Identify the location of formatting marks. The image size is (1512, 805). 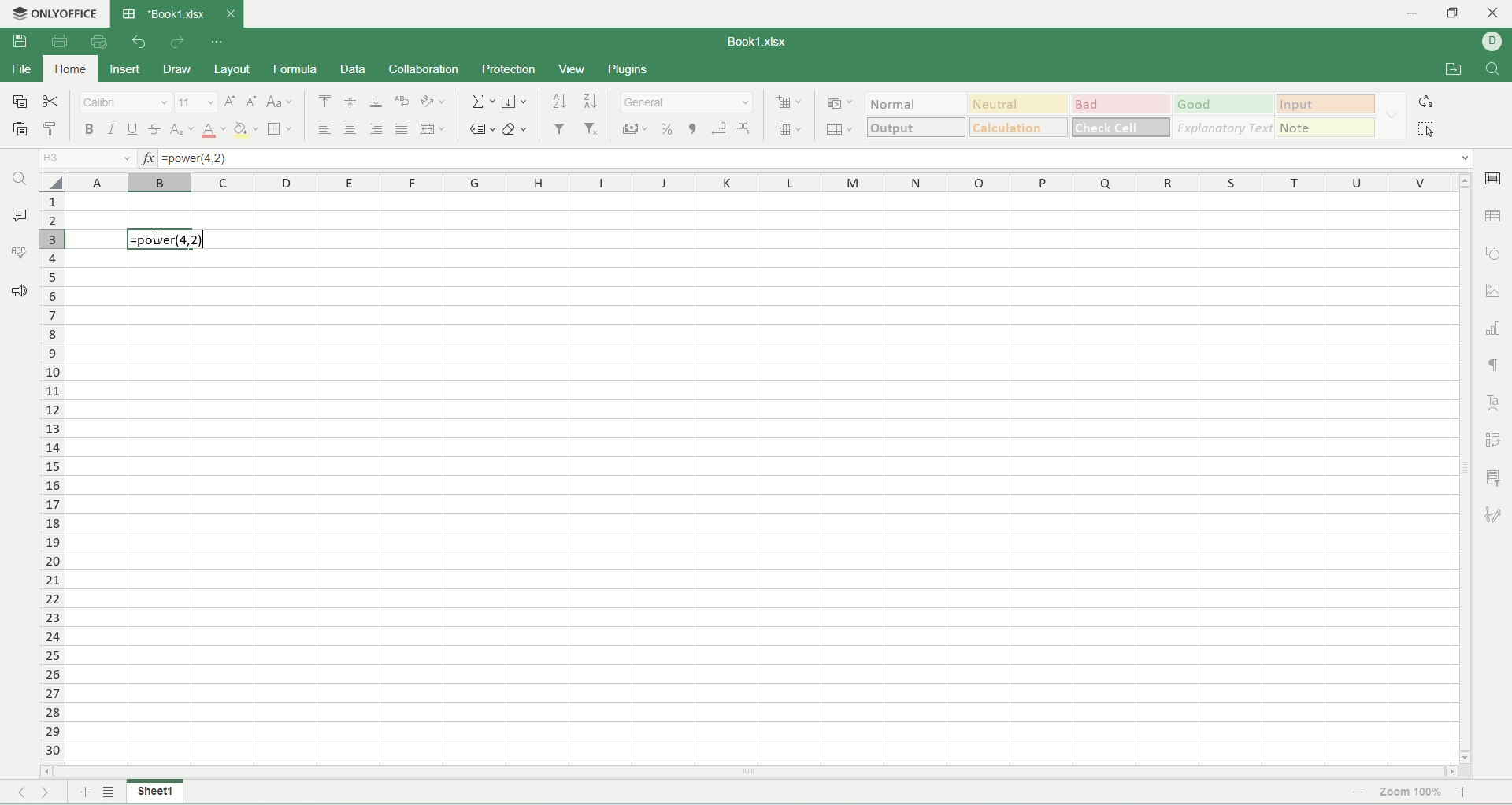
(1492, 365).